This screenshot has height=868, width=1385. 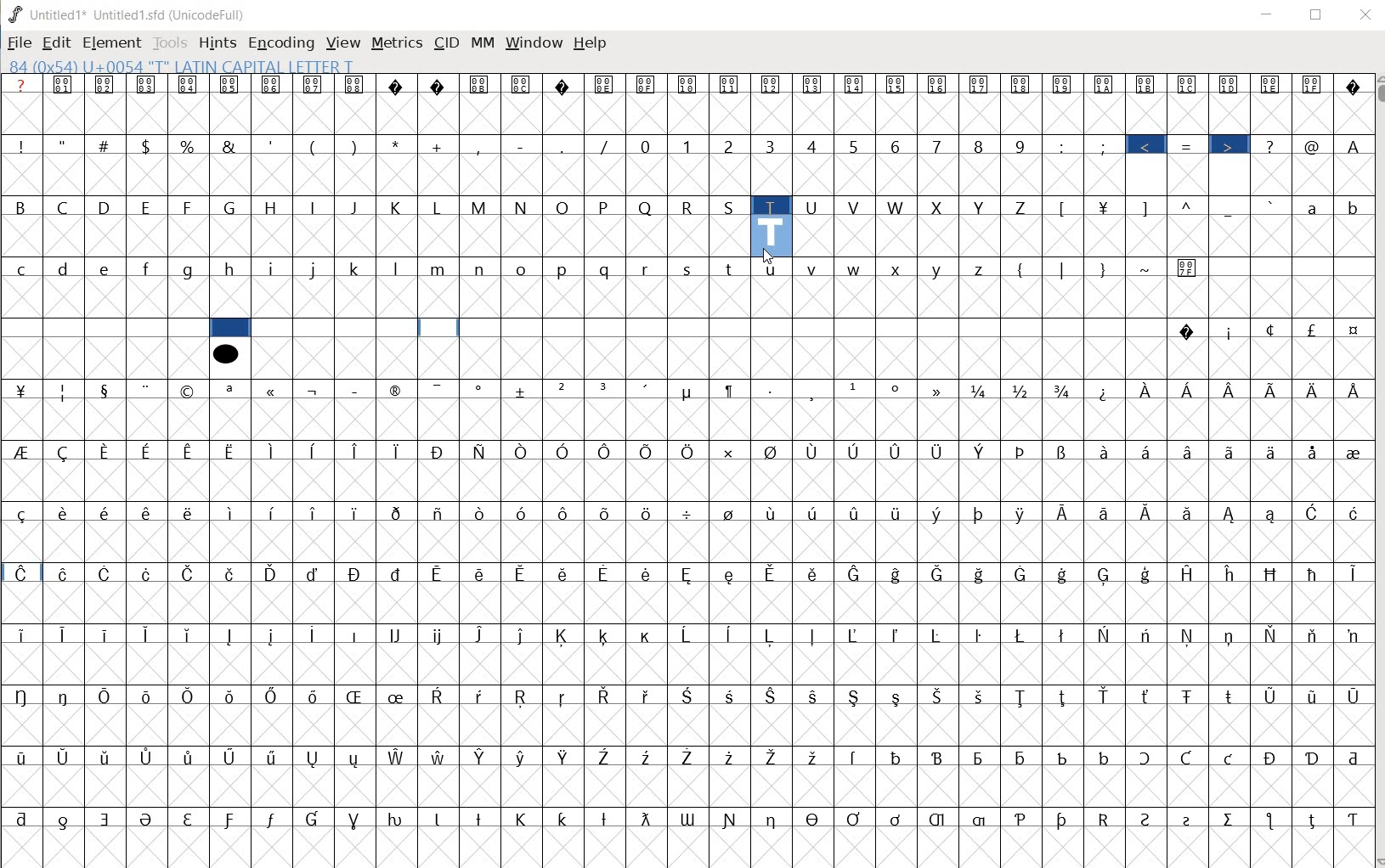 I want to click on Symbol, so click(x=1149, y=84).